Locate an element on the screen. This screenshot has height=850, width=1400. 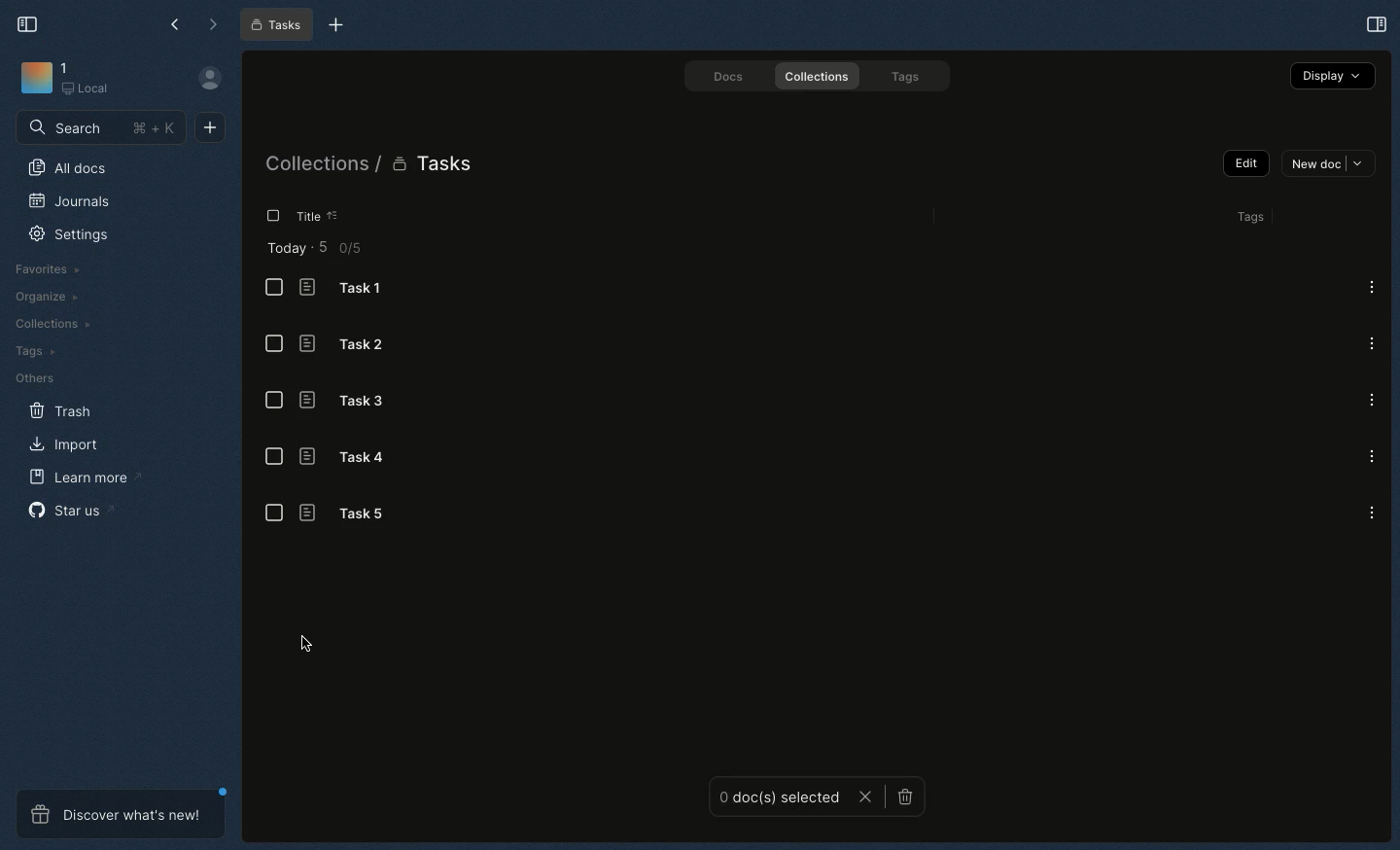
Task 2 is located at coordinates (352, 344).